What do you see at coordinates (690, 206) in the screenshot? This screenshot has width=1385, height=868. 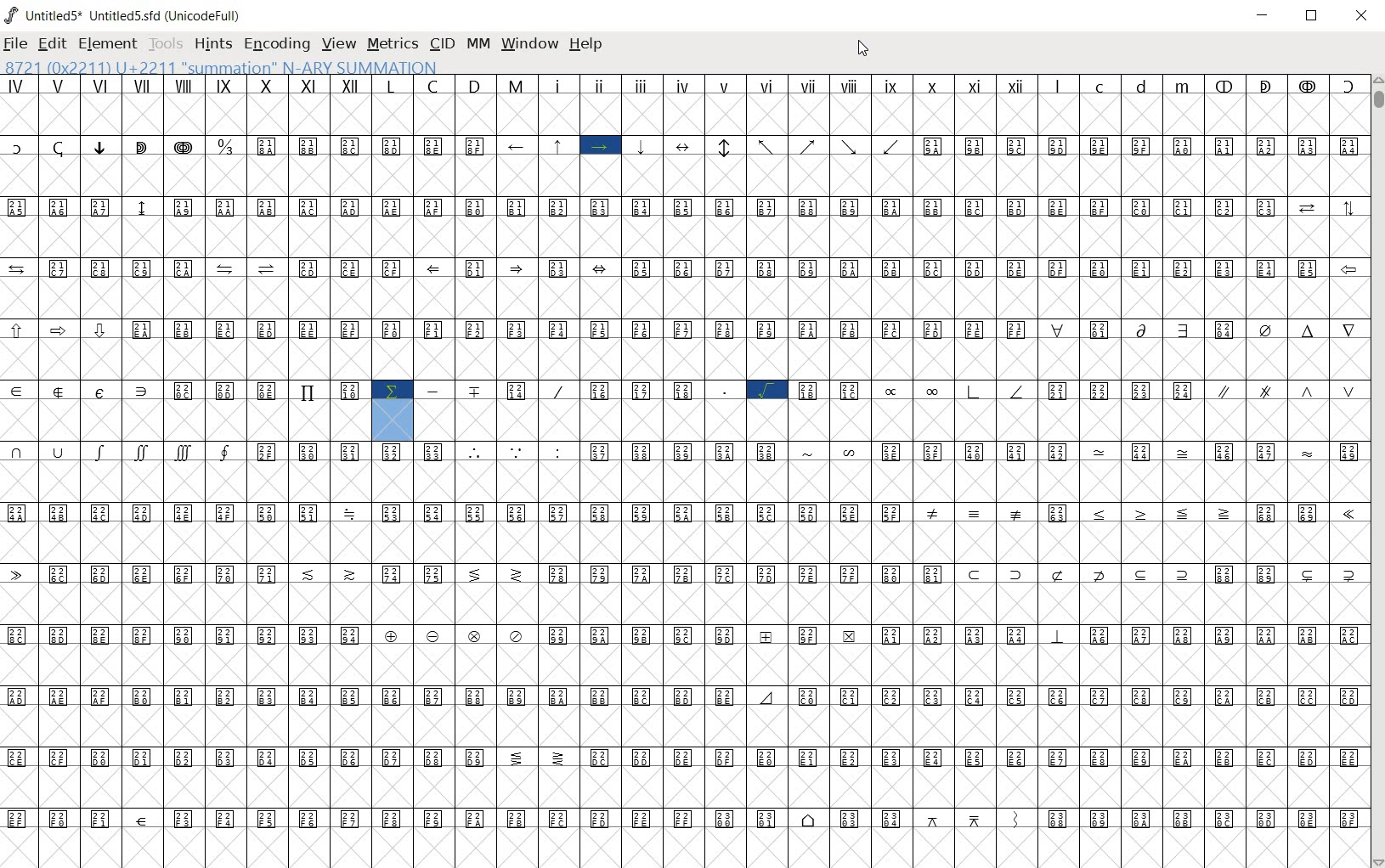 I see `special symbols` at bounding box center [690, 206].